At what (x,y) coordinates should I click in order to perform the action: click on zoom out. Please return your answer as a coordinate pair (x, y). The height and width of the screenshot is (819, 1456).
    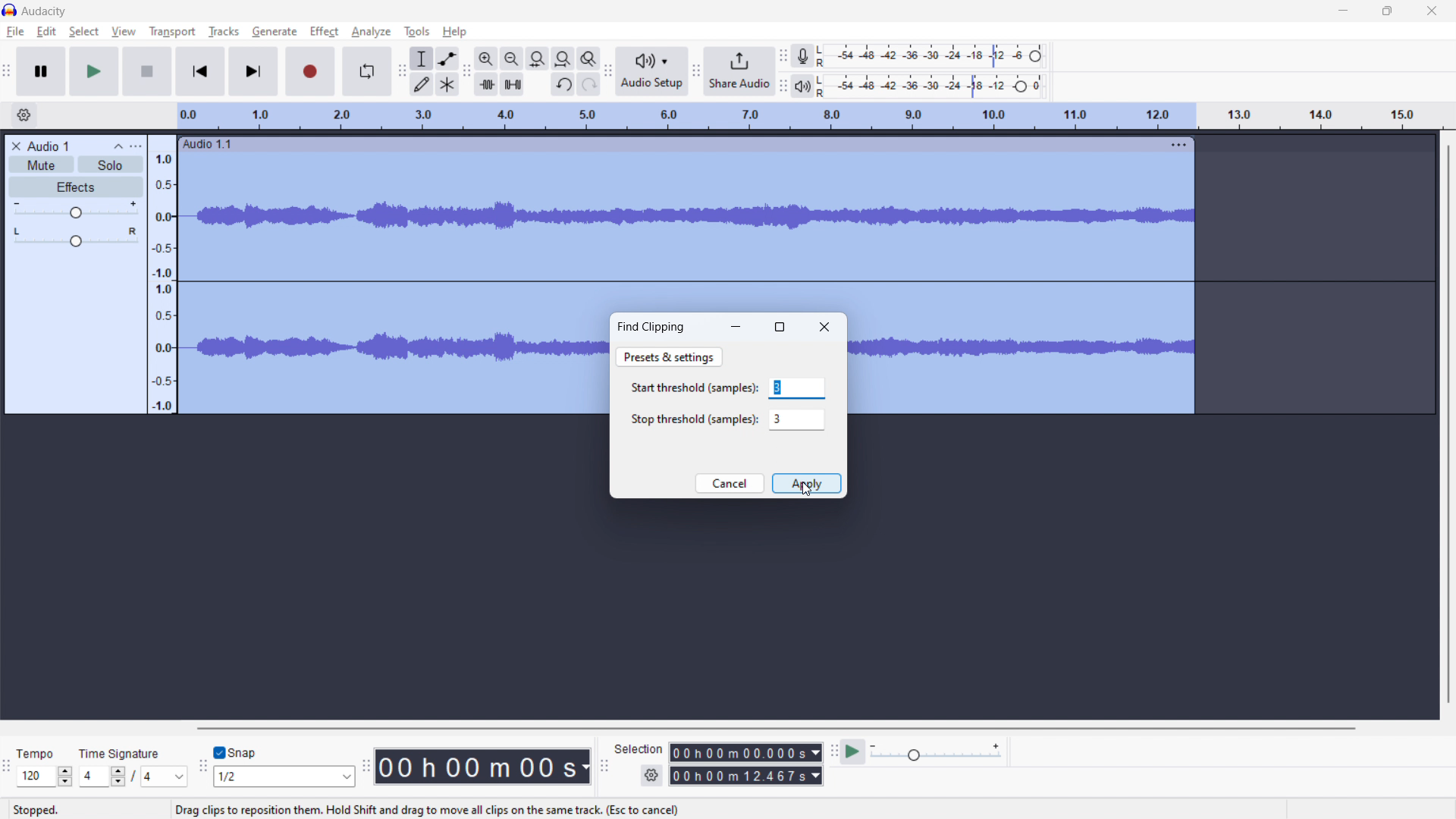
    Looking at the image, I should click on (512, 58).